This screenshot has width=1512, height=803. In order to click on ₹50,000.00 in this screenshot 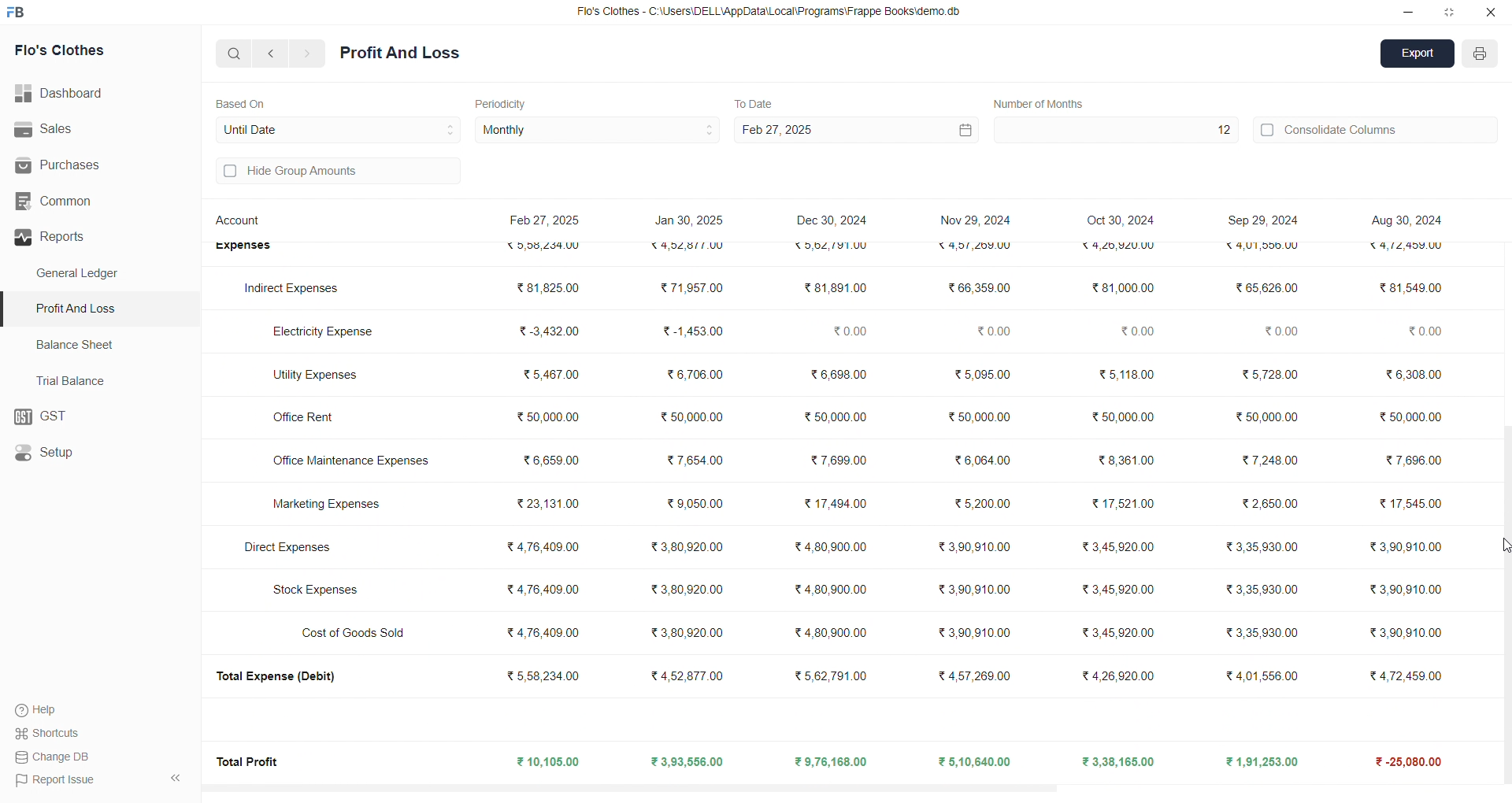, I will do `click(693, 414)`.